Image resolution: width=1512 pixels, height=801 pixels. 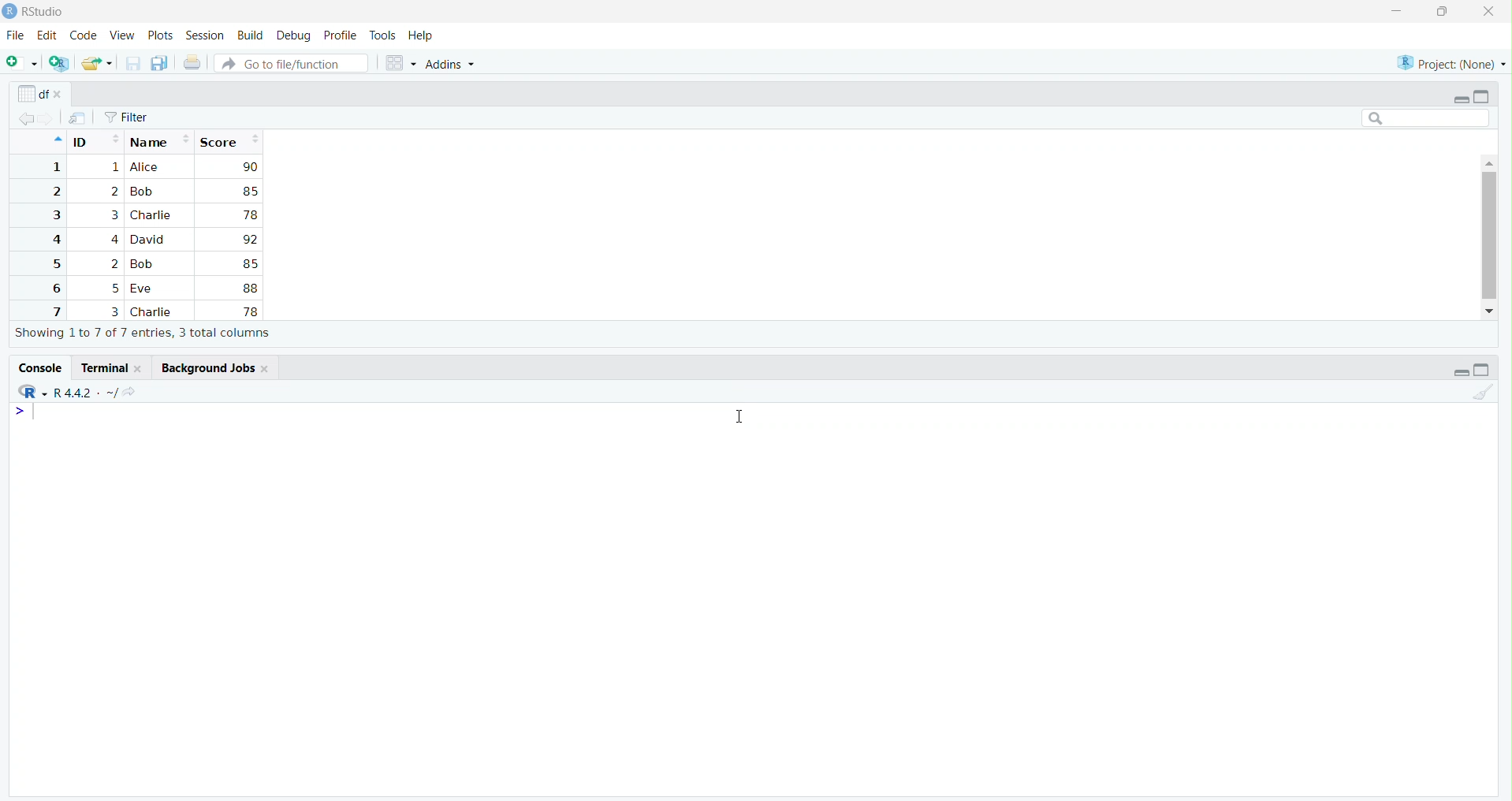 I want to click on Plots, so click(x=161, y=36).